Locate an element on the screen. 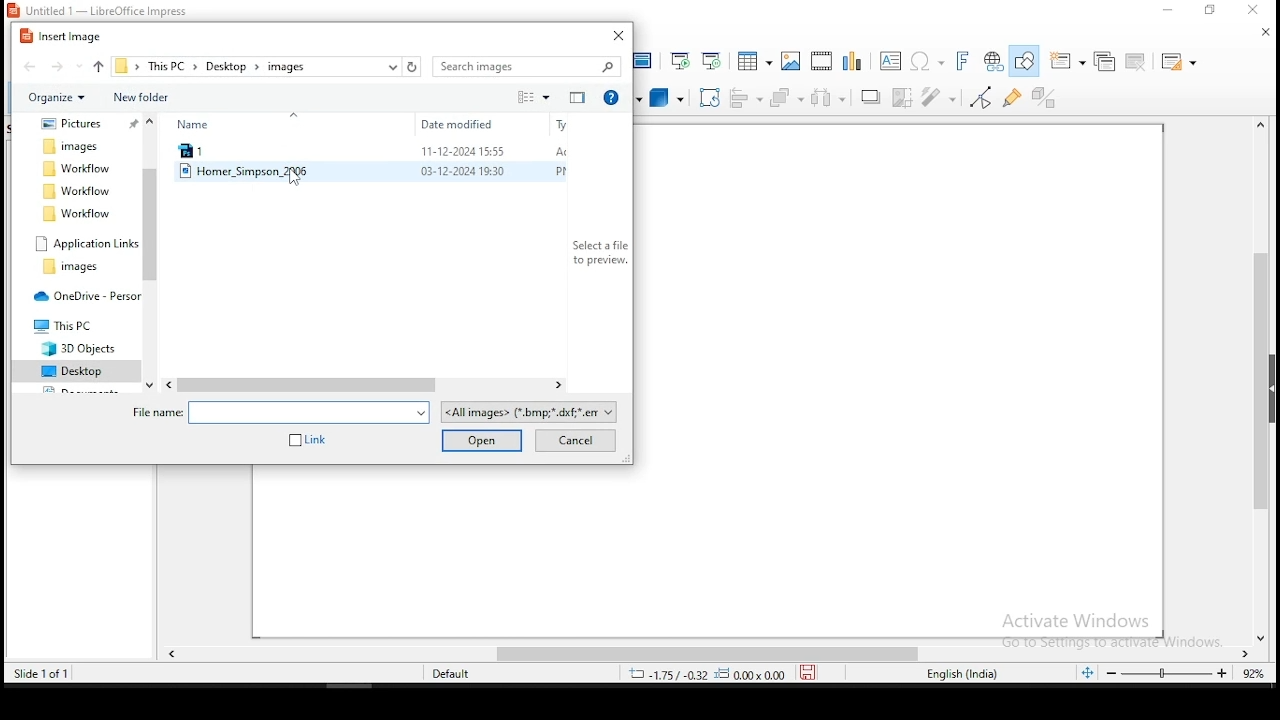  up is located at coordinates (98, 67).